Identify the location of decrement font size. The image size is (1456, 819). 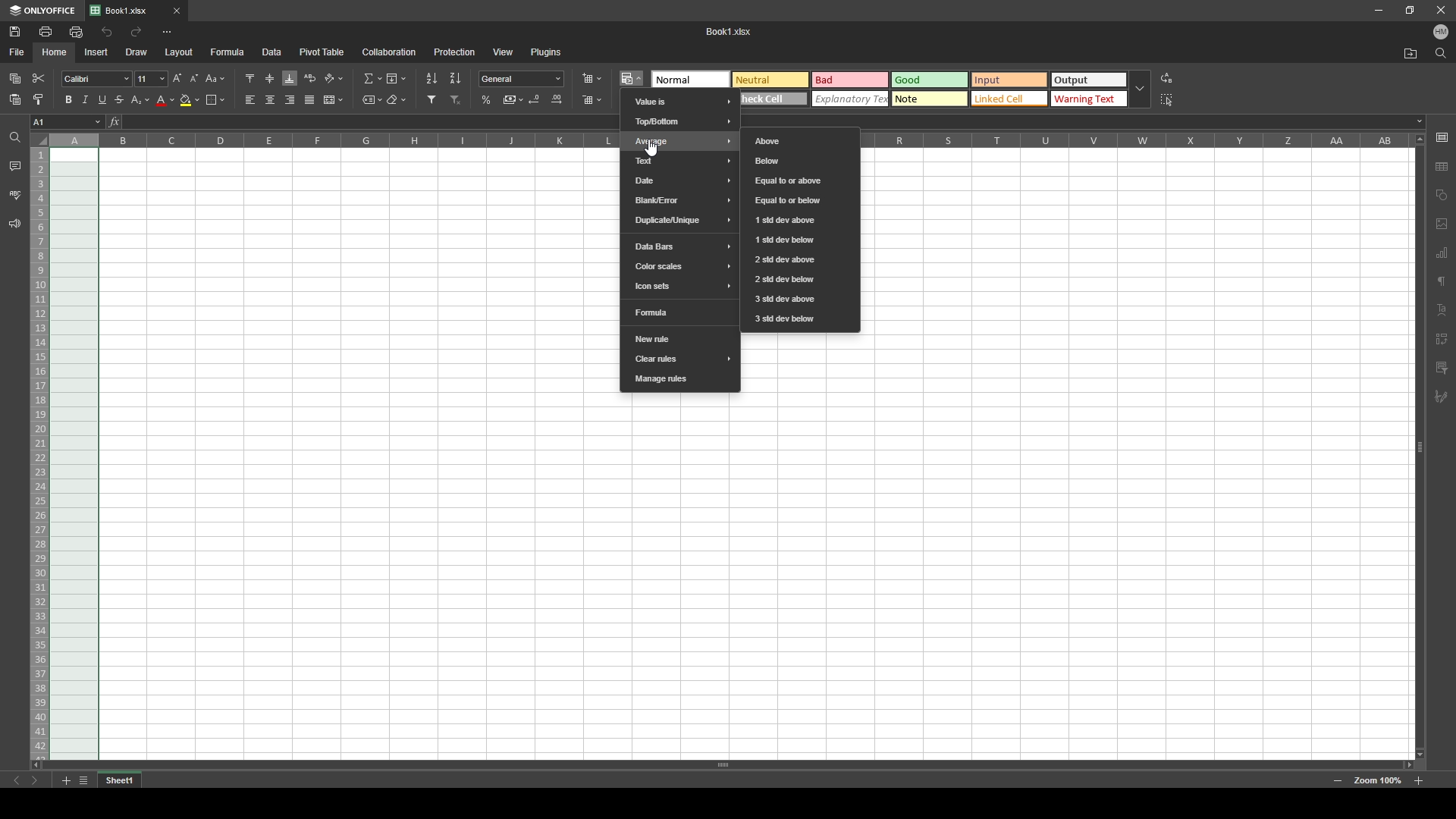
(194, 78).